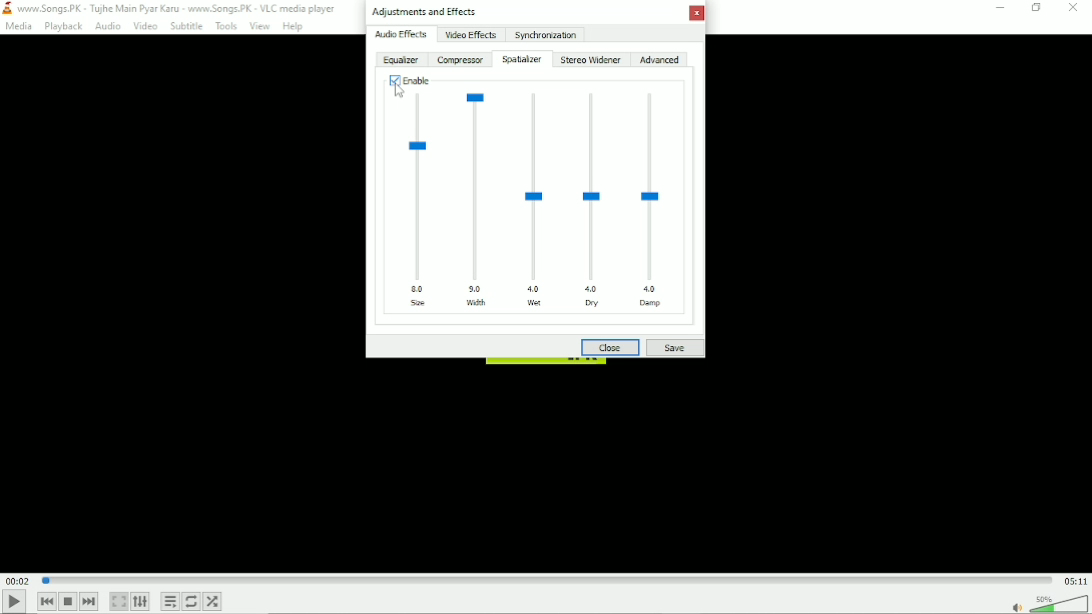 This screenshot has width=1092, height=614. I want to click on Close, so click(610, 346).